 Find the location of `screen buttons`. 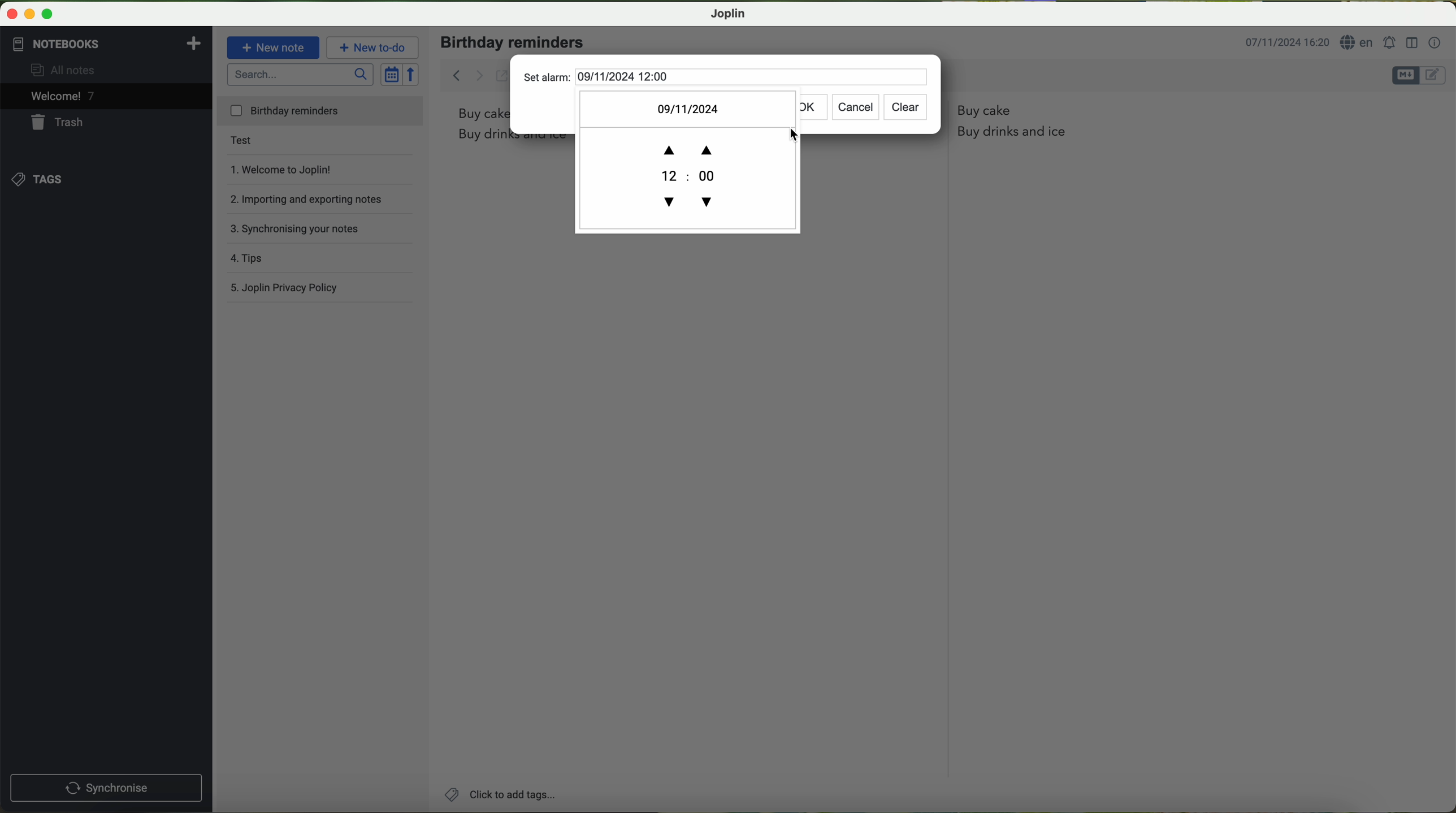

screen buttons is located at coordinates (33, 13).